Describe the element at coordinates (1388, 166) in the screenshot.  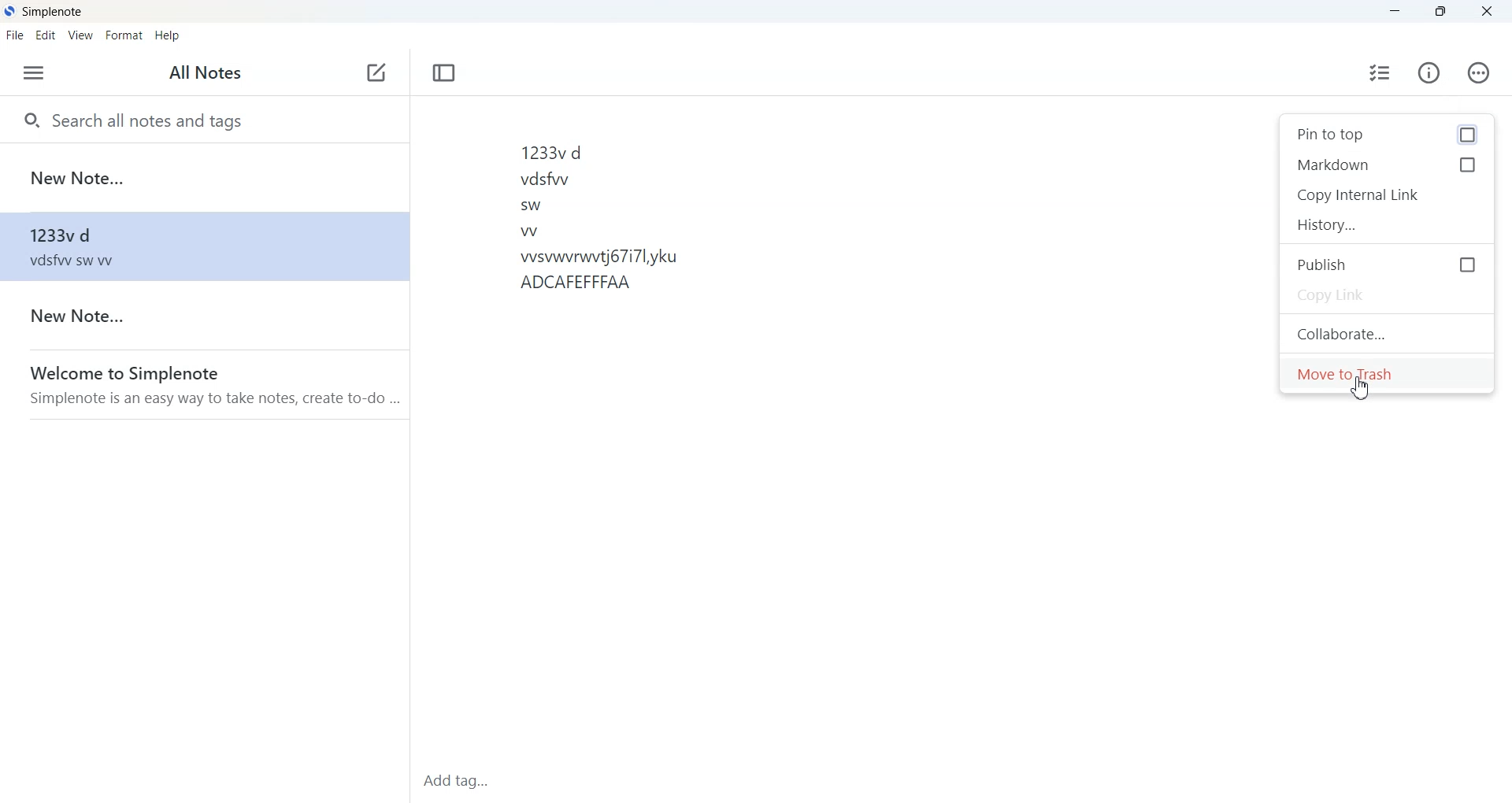
I see `Markdown checklist` at that location.